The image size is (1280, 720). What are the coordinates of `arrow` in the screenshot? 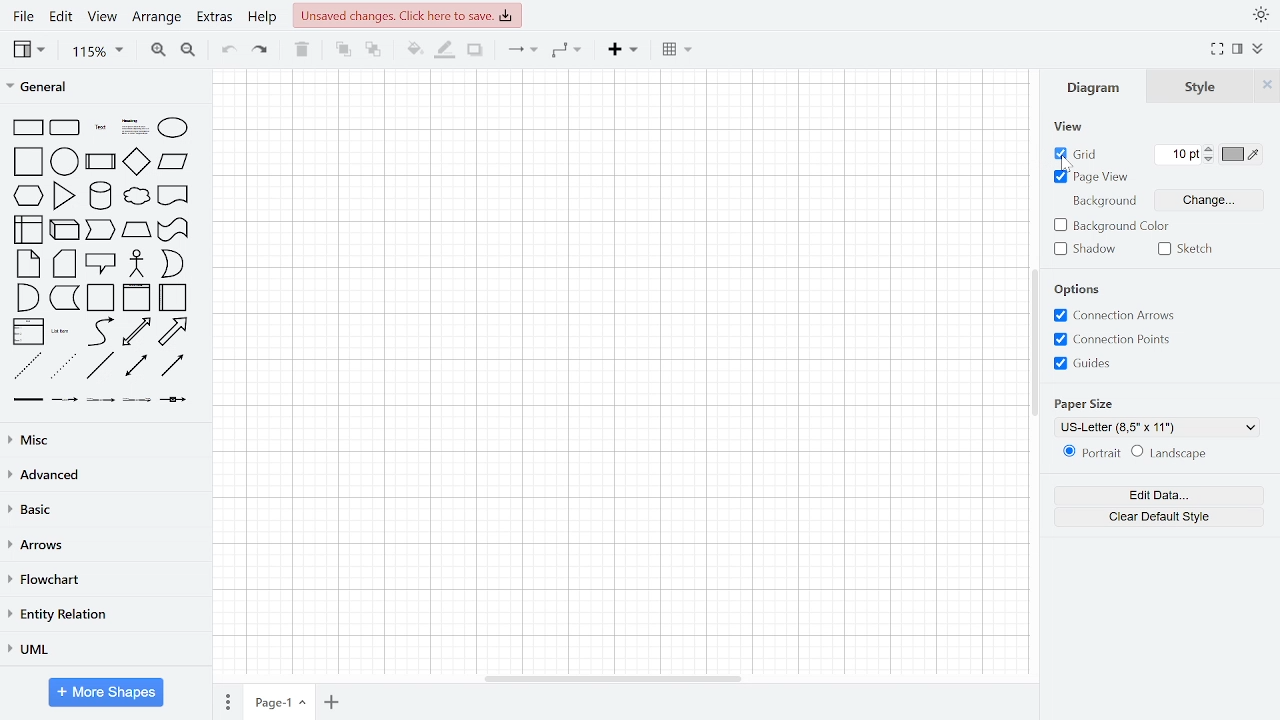 It's located at (173, 332).